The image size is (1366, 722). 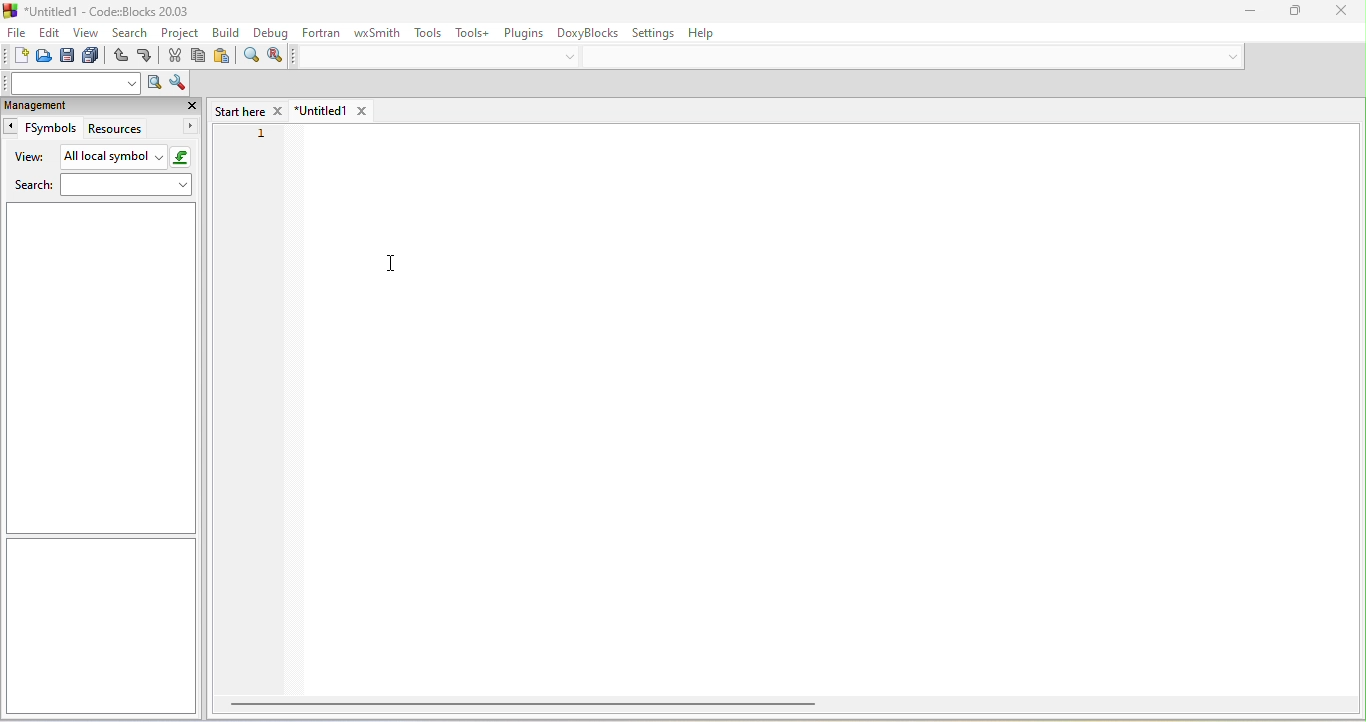 I want to click on build, so click(x=224, y=31).